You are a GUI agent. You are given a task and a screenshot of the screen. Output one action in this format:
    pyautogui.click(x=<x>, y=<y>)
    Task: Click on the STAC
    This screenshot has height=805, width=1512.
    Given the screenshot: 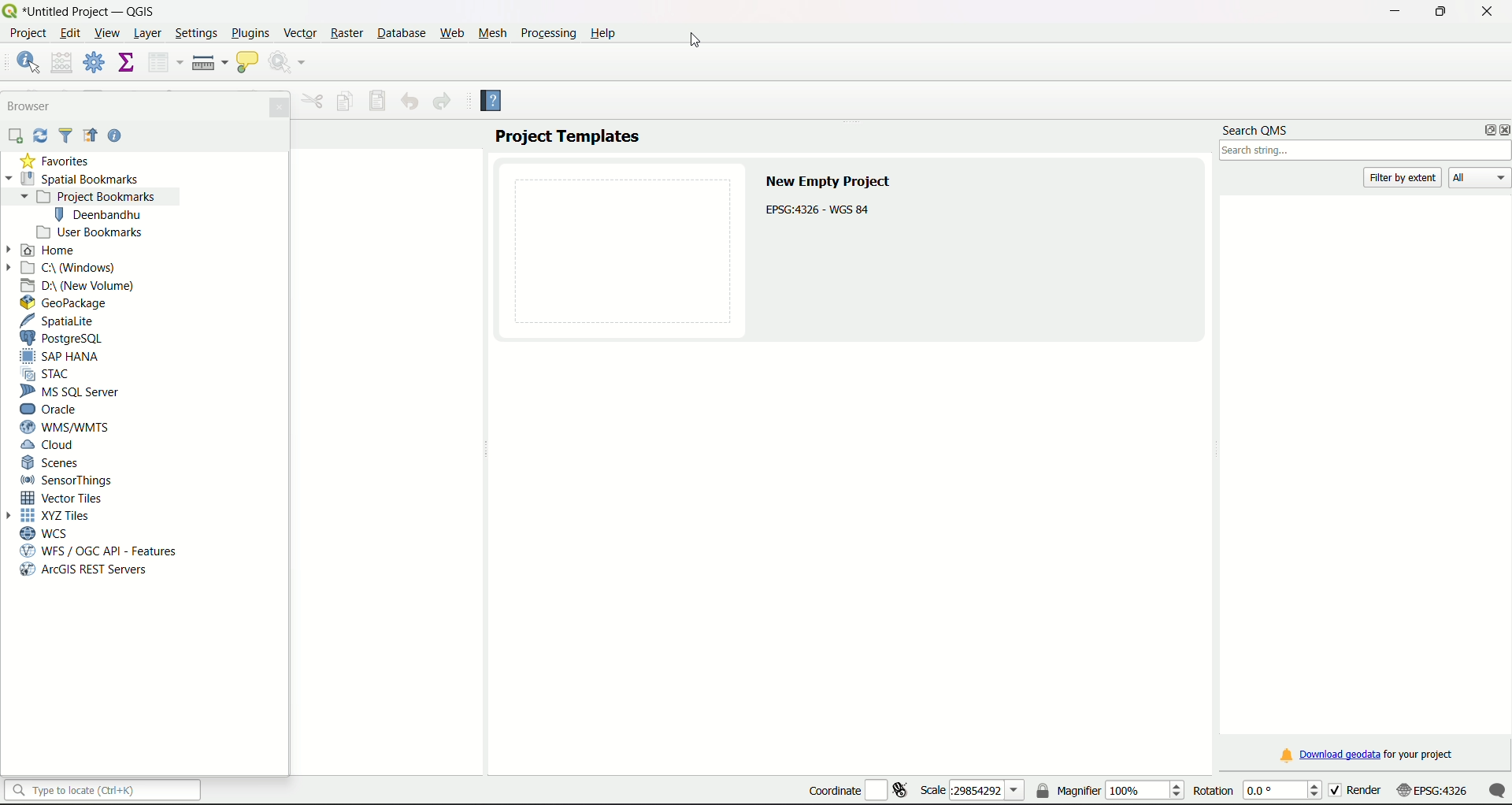 What is the action you would take?
    pyautogui.click(x=49, y=371)
    